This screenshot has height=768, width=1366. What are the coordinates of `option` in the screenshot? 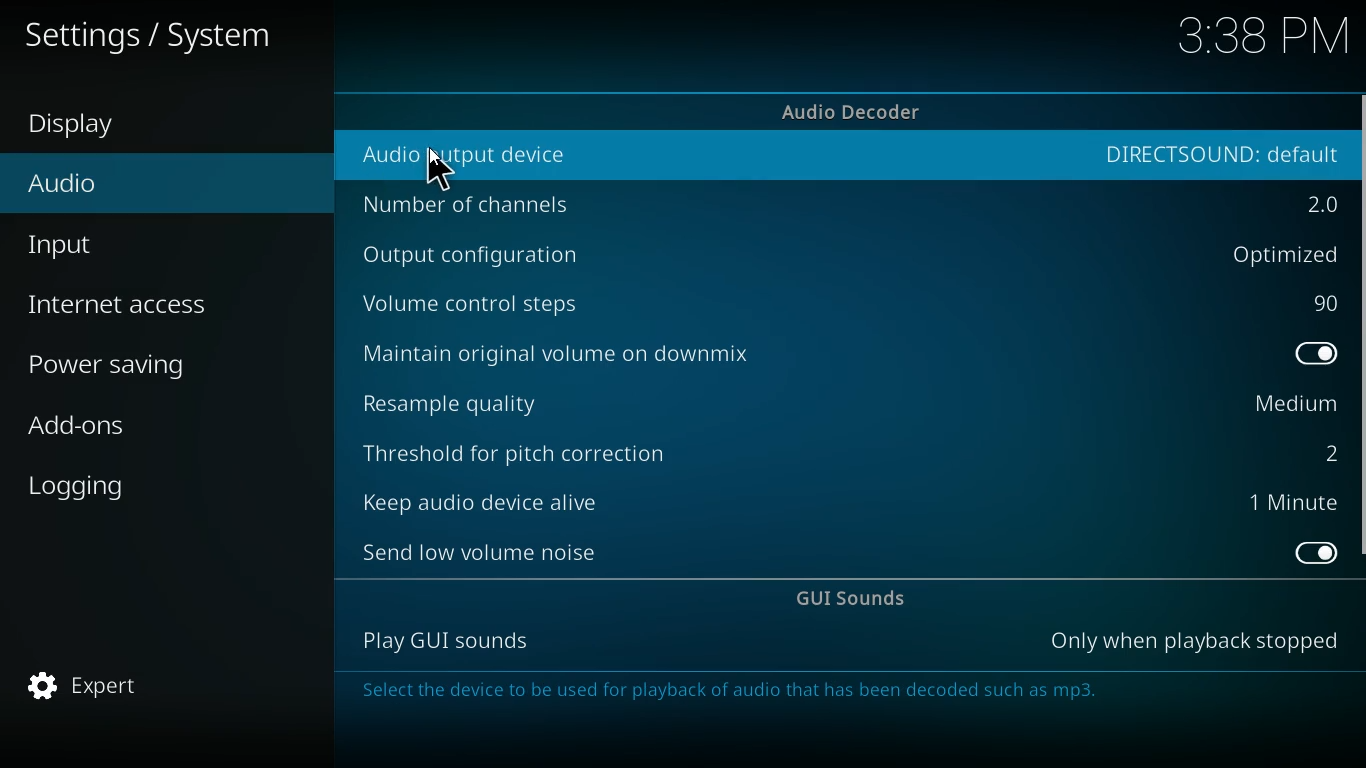 It's located at (1311, 553).